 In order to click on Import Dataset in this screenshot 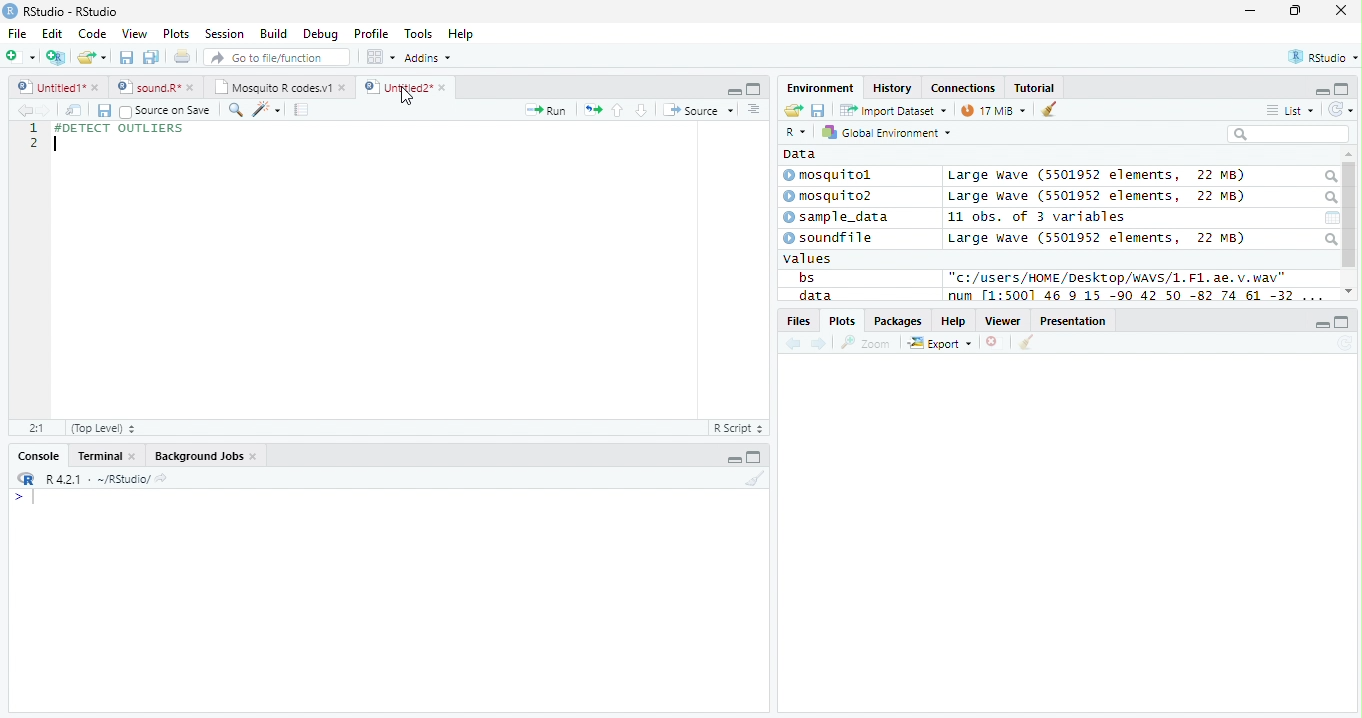, I will do `click(893, 111)`.